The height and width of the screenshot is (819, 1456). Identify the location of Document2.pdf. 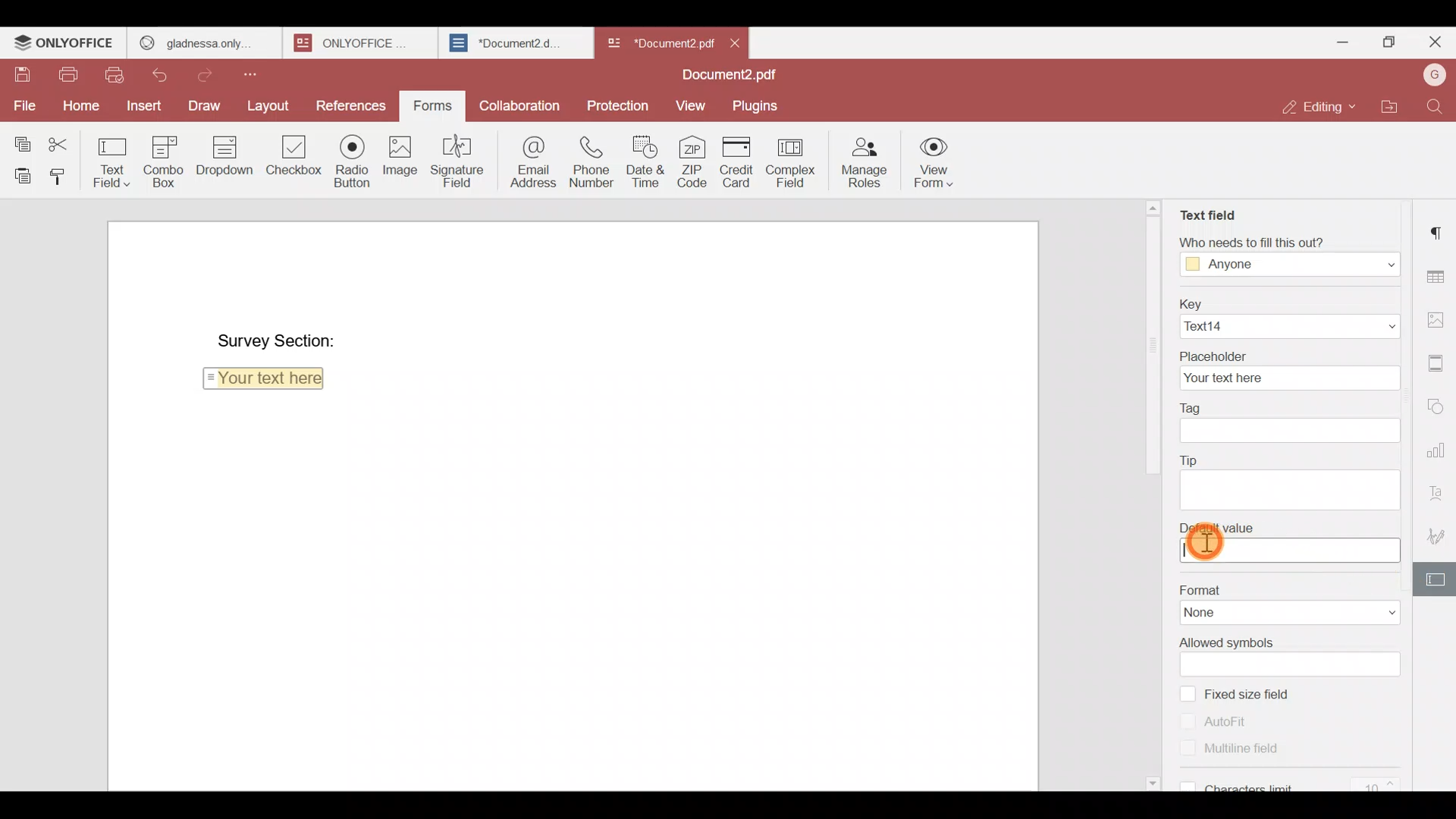
(724, 76).